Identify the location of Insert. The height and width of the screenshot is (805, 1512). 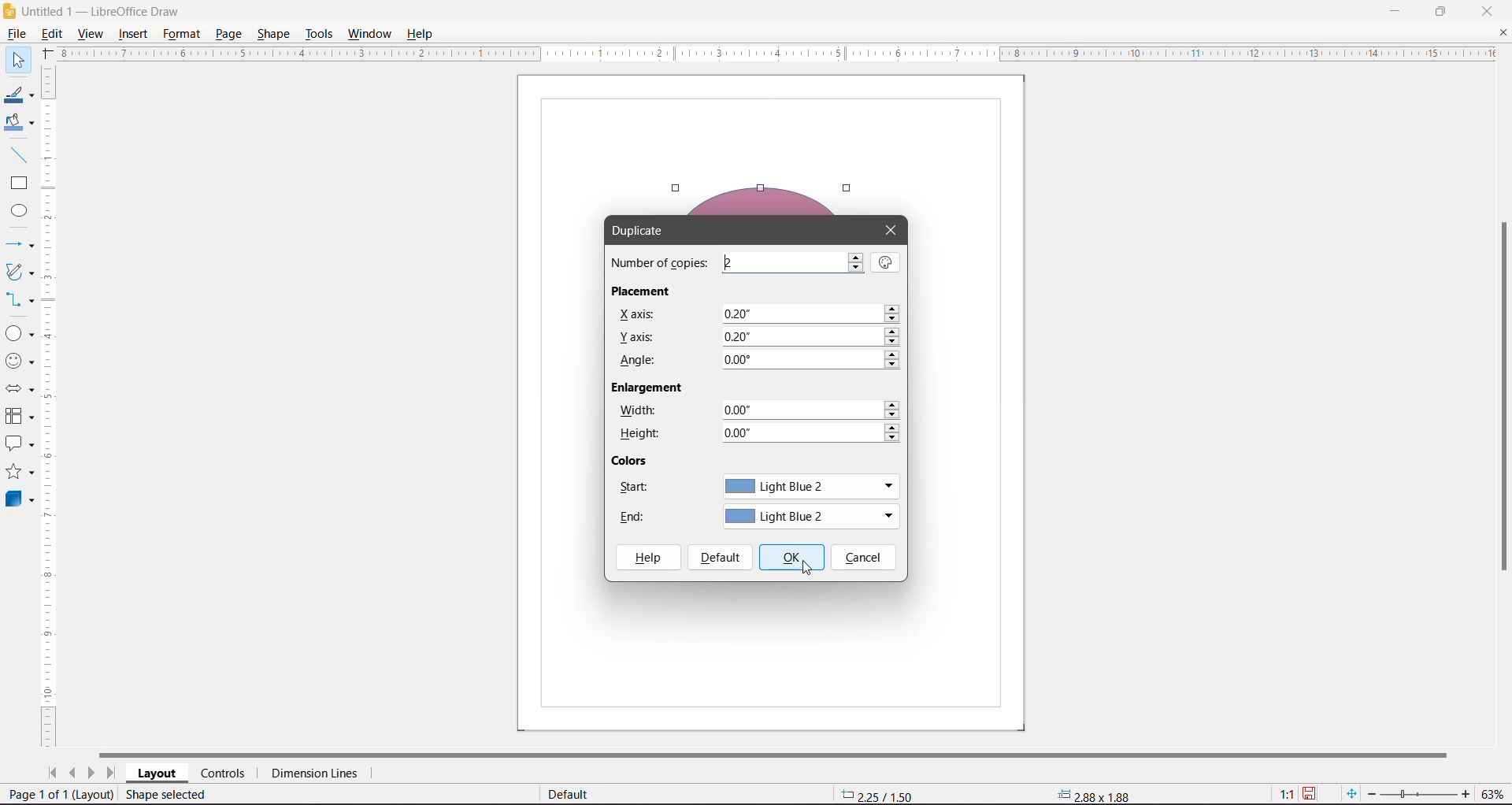
(134, 32).